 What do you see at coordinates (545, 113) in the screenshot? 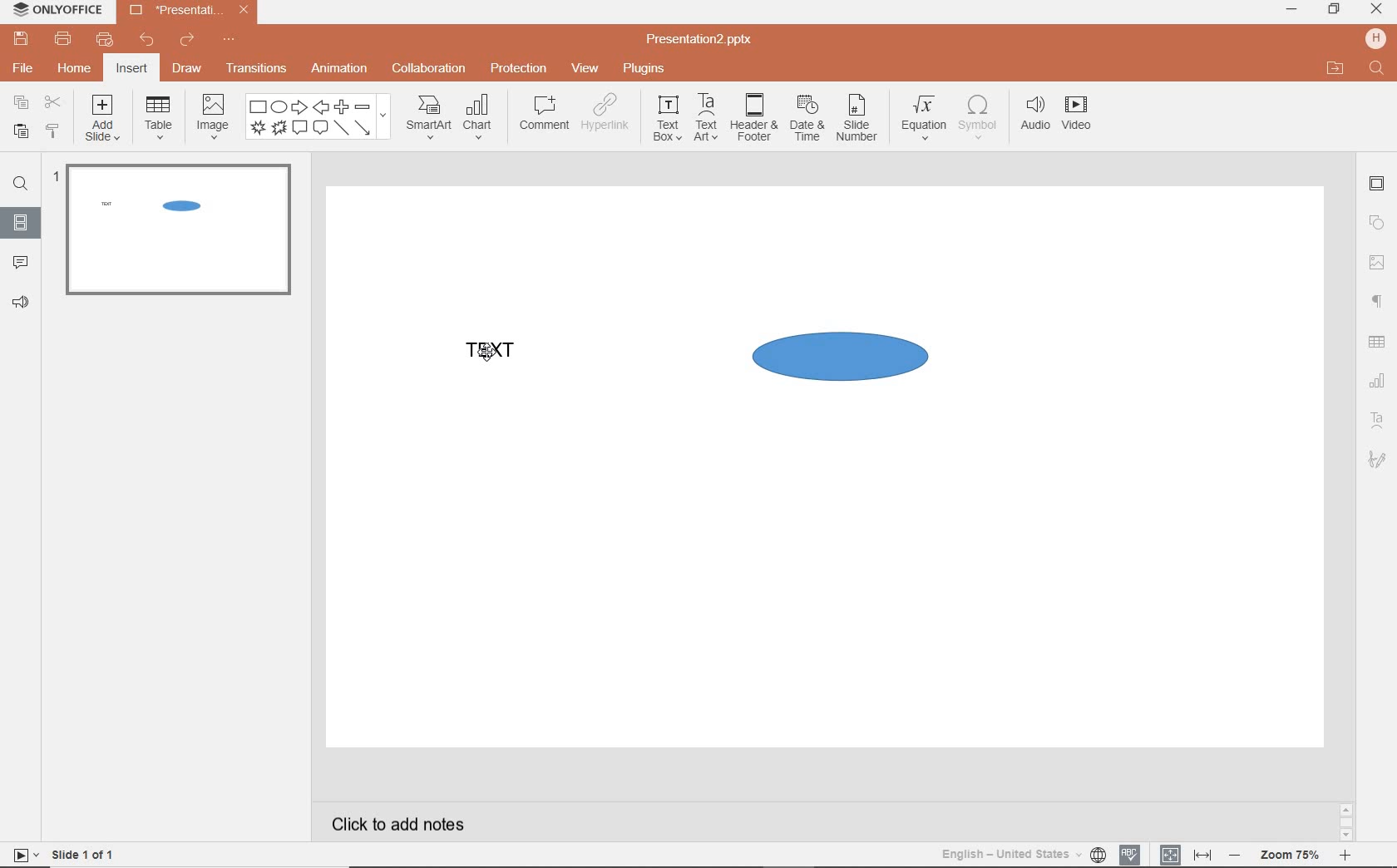
I see `comment` at bounding box center [545, 113].